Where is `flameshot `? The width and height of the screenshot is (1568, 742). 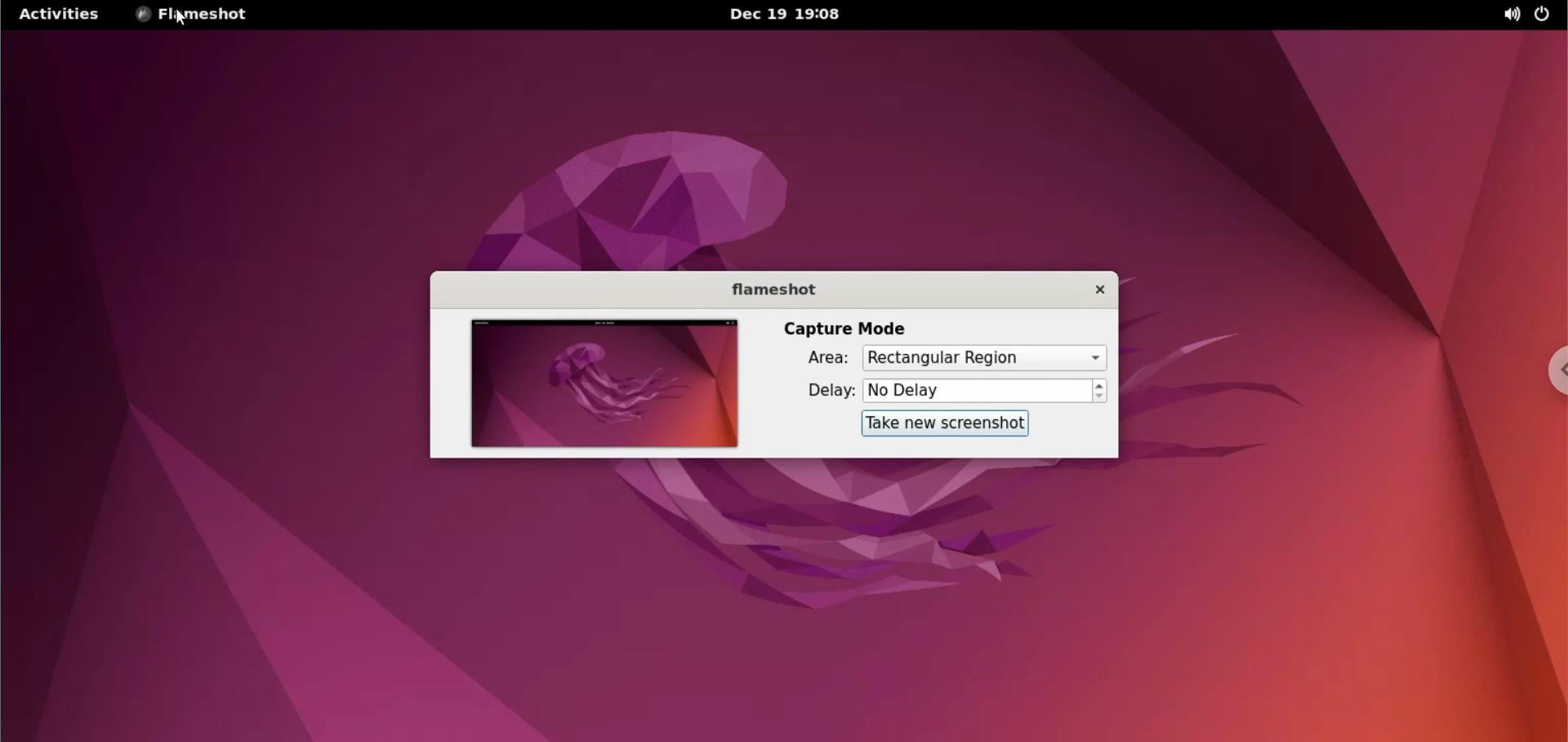
flameshot  is located at coordinates (768, 288).